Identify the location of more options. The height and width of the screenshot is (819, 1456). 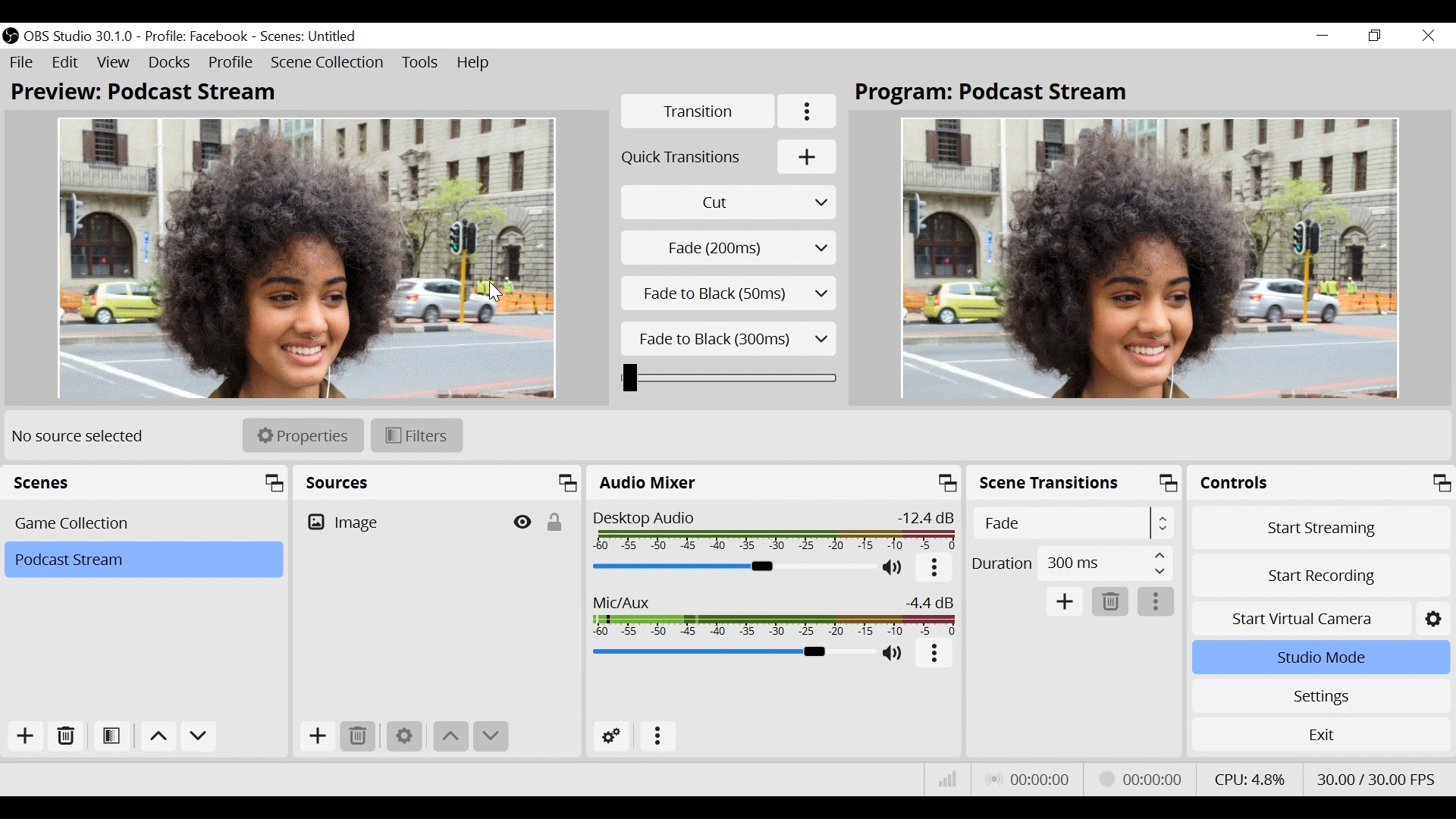
(1157, 601).